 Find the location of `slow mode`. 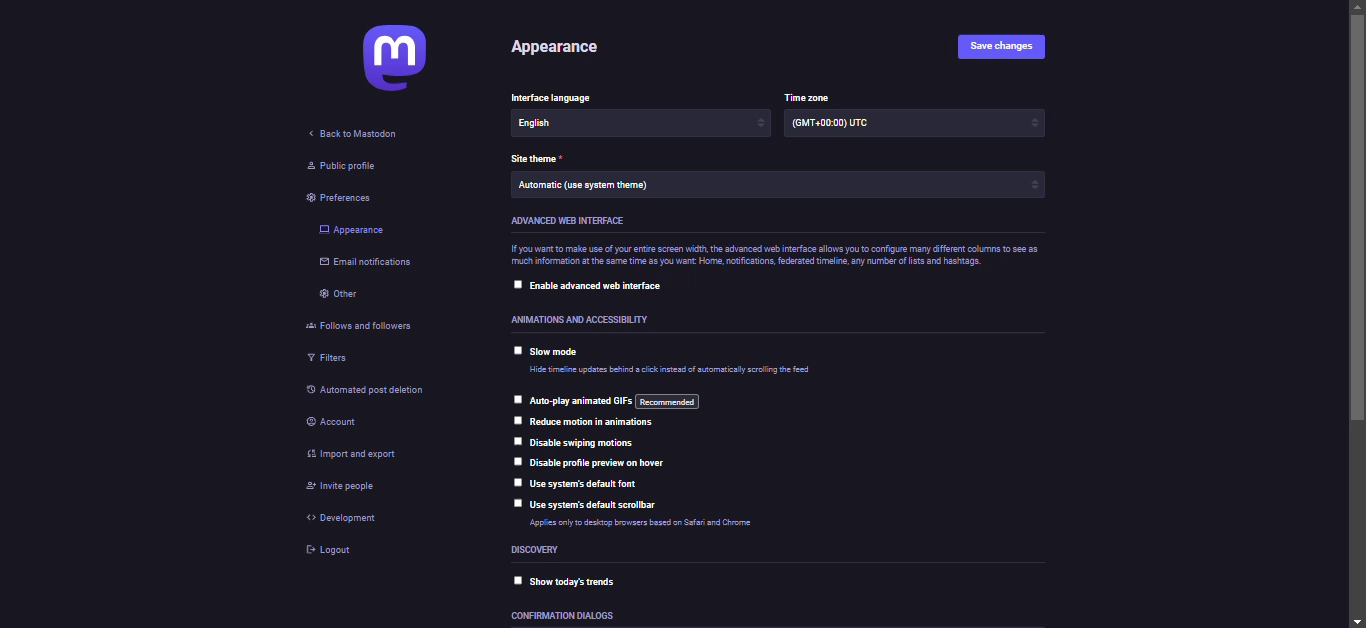

slow mode is located at coordinates (560, 352).